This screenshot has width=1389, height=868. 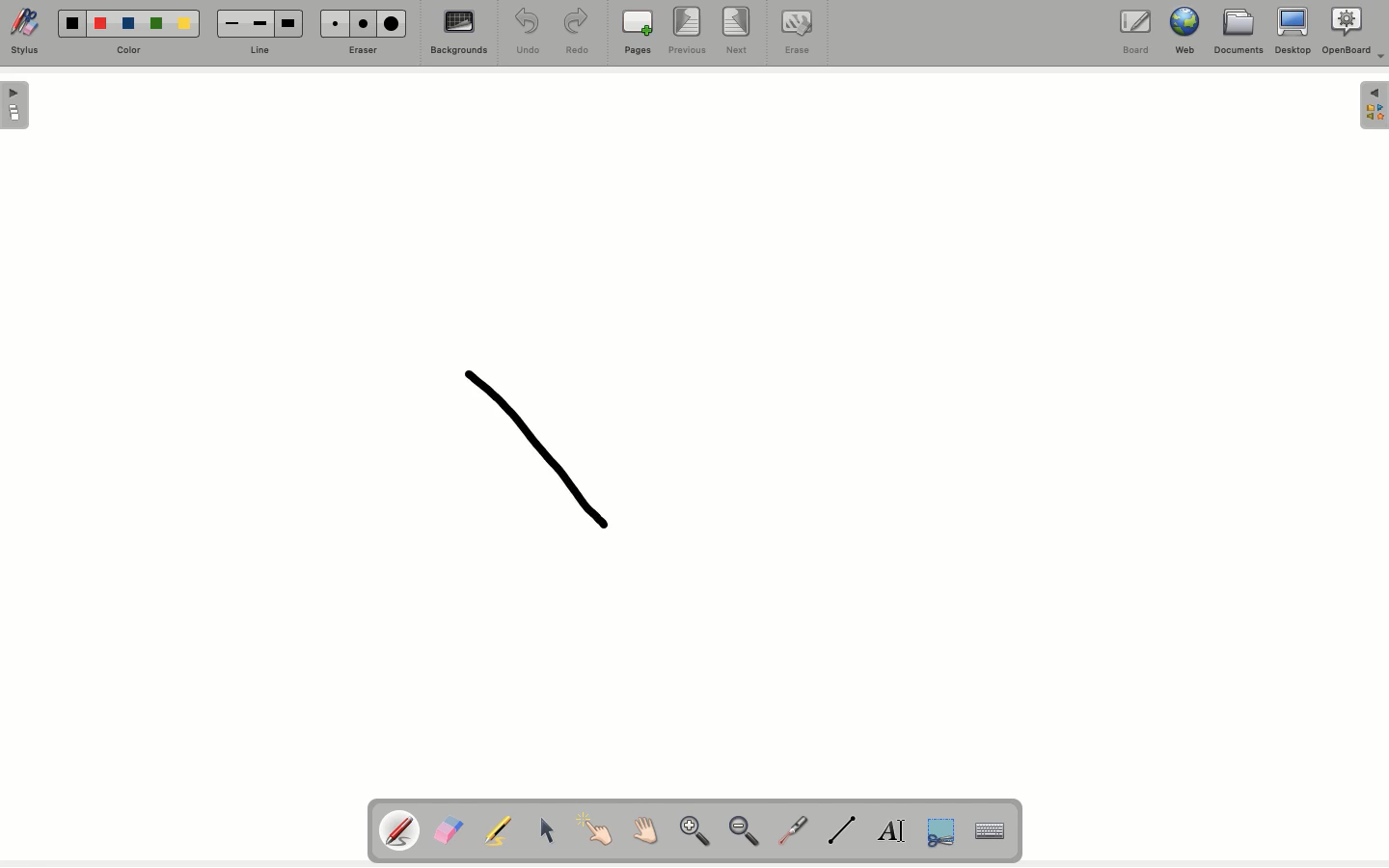 What do you see at coordinates (73, 22) in the screenshot?
I see `Black` at bounding box center [73, 22].